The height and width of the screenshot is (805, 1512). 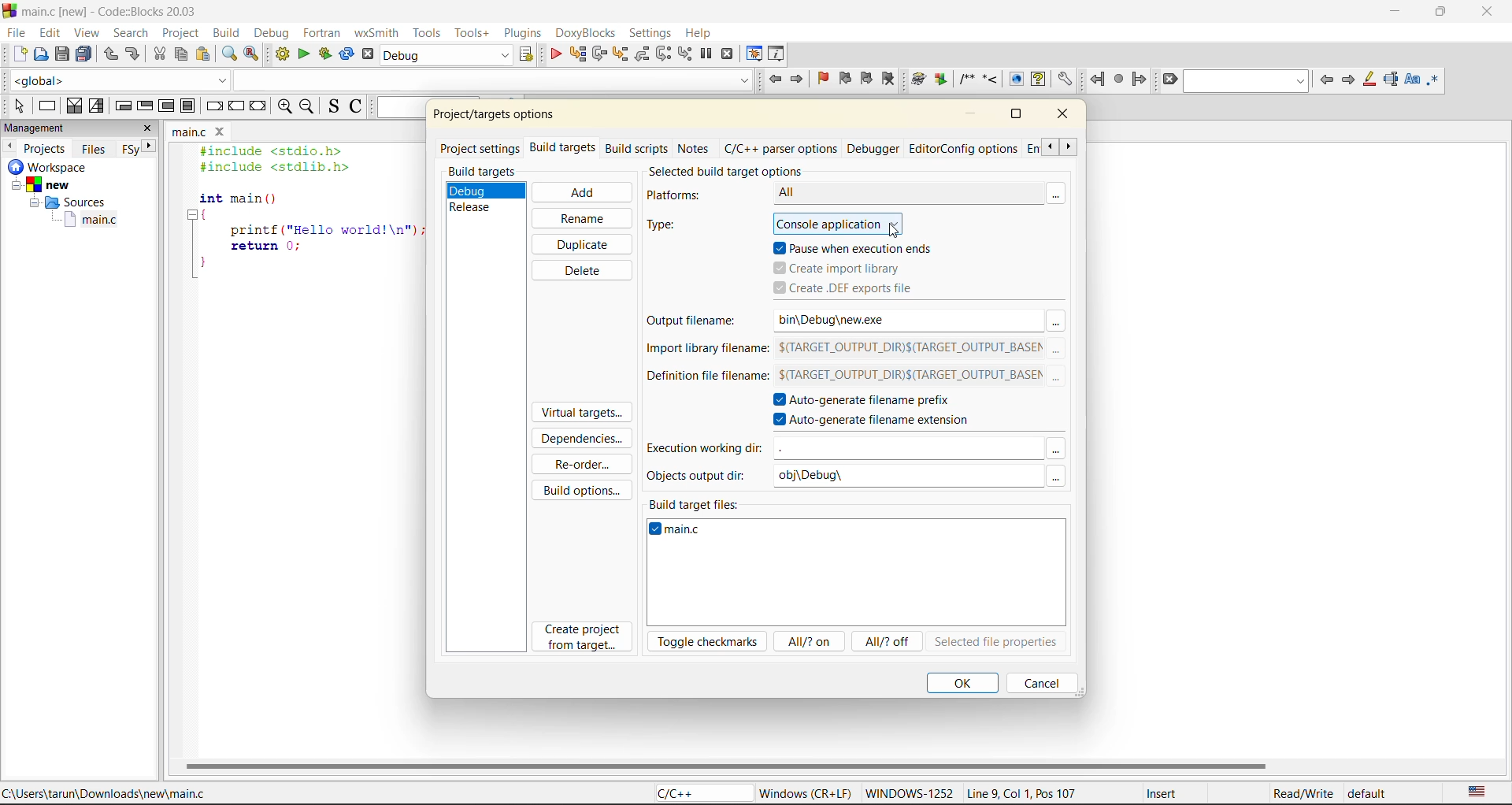 I want to click on continue instruction, so click(x=236, y=107).